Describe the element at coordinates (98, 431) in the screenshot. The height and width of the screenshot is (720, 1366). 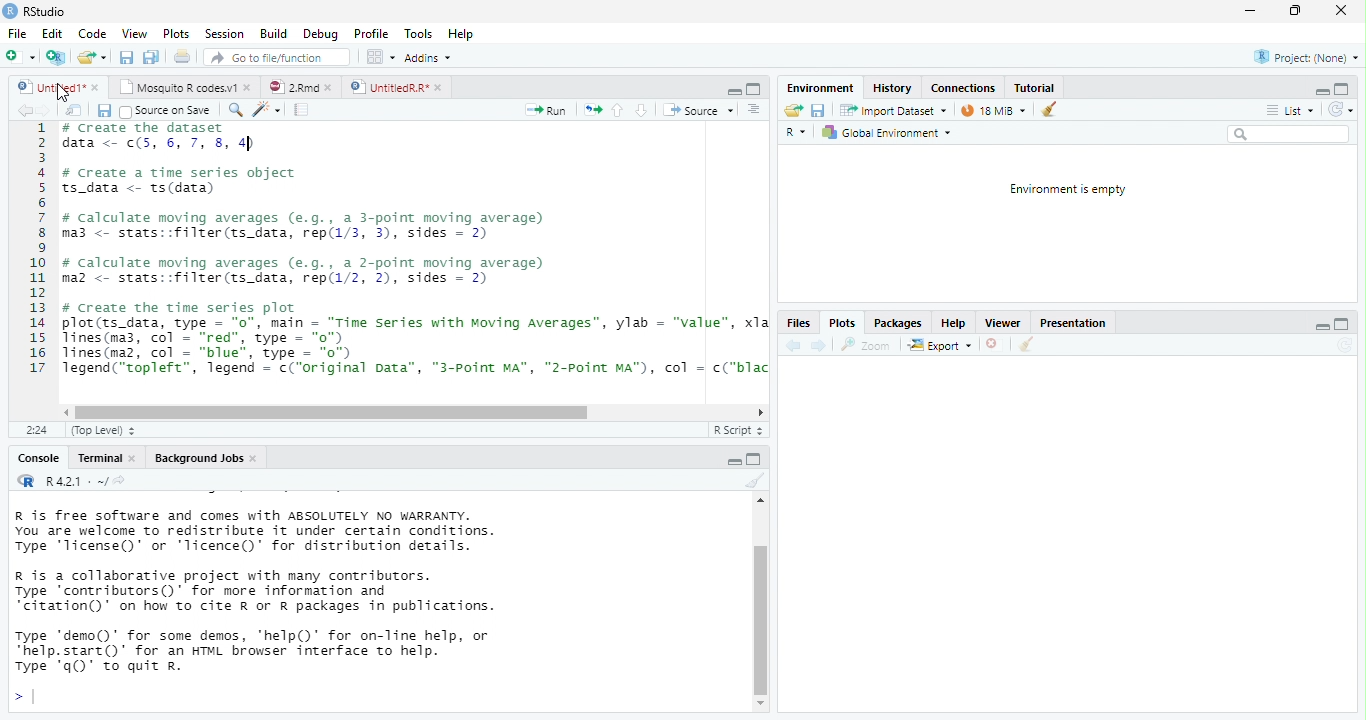
I see `(Top Level)` at that location.